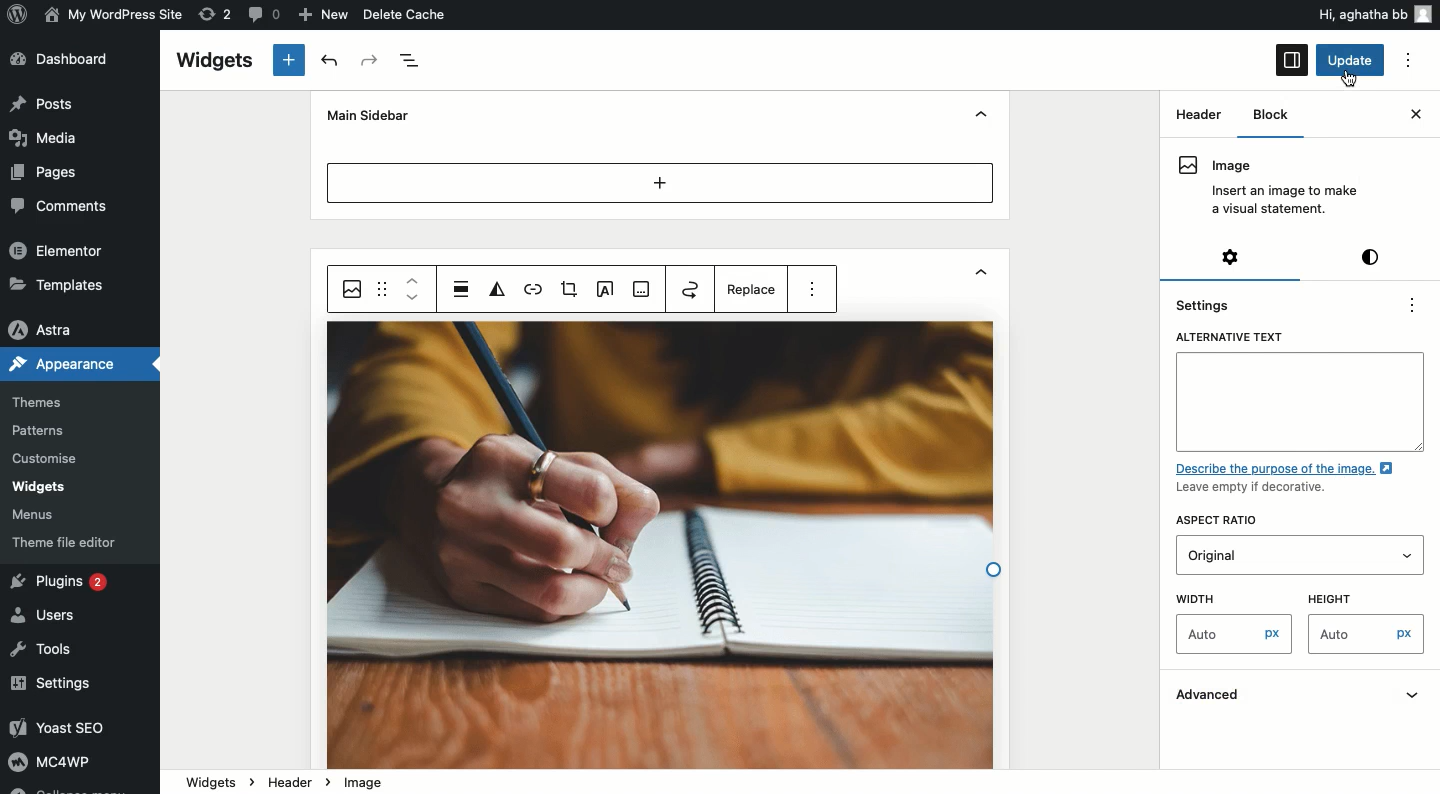 The height and width of the screenshot is (794, 1440). What do you see at coordinates (365, 115) in the screenshot?
I see `Mine sidebar` at bounding box center [365, 115].